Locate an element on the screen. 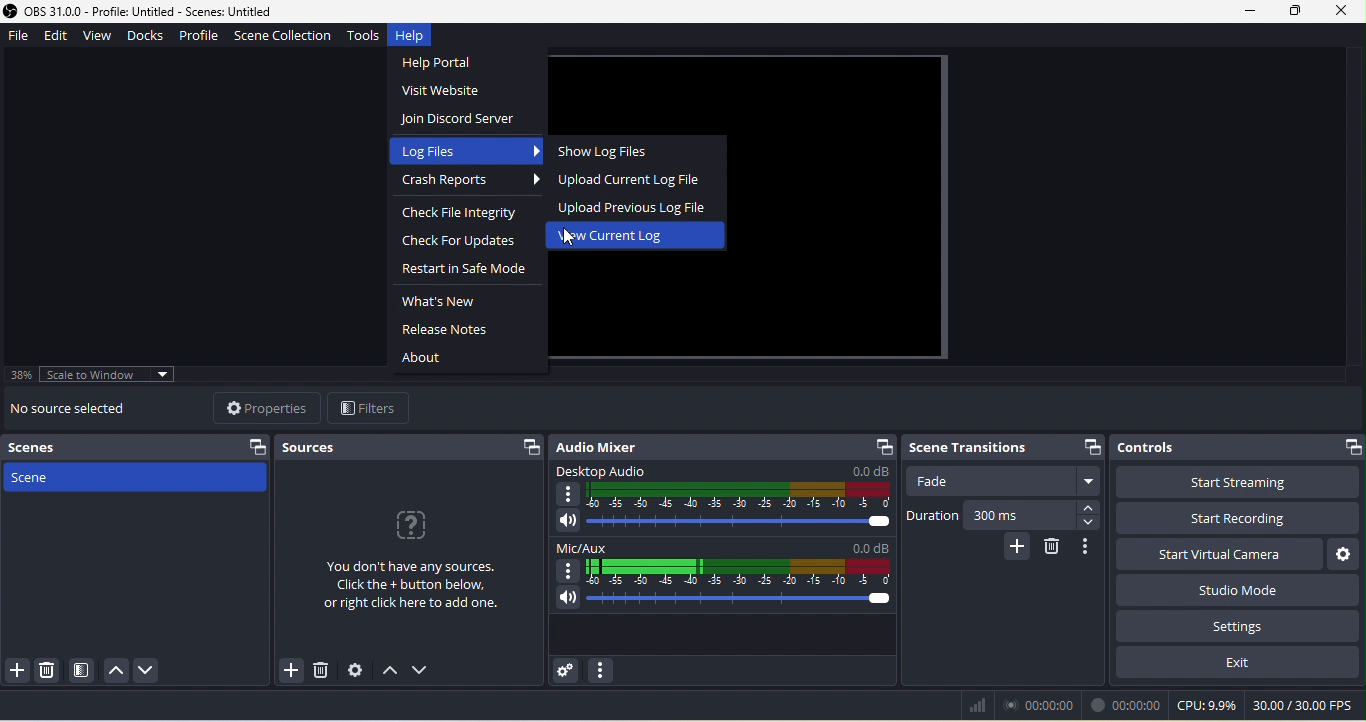  volume is located at coordinates (719, 523).